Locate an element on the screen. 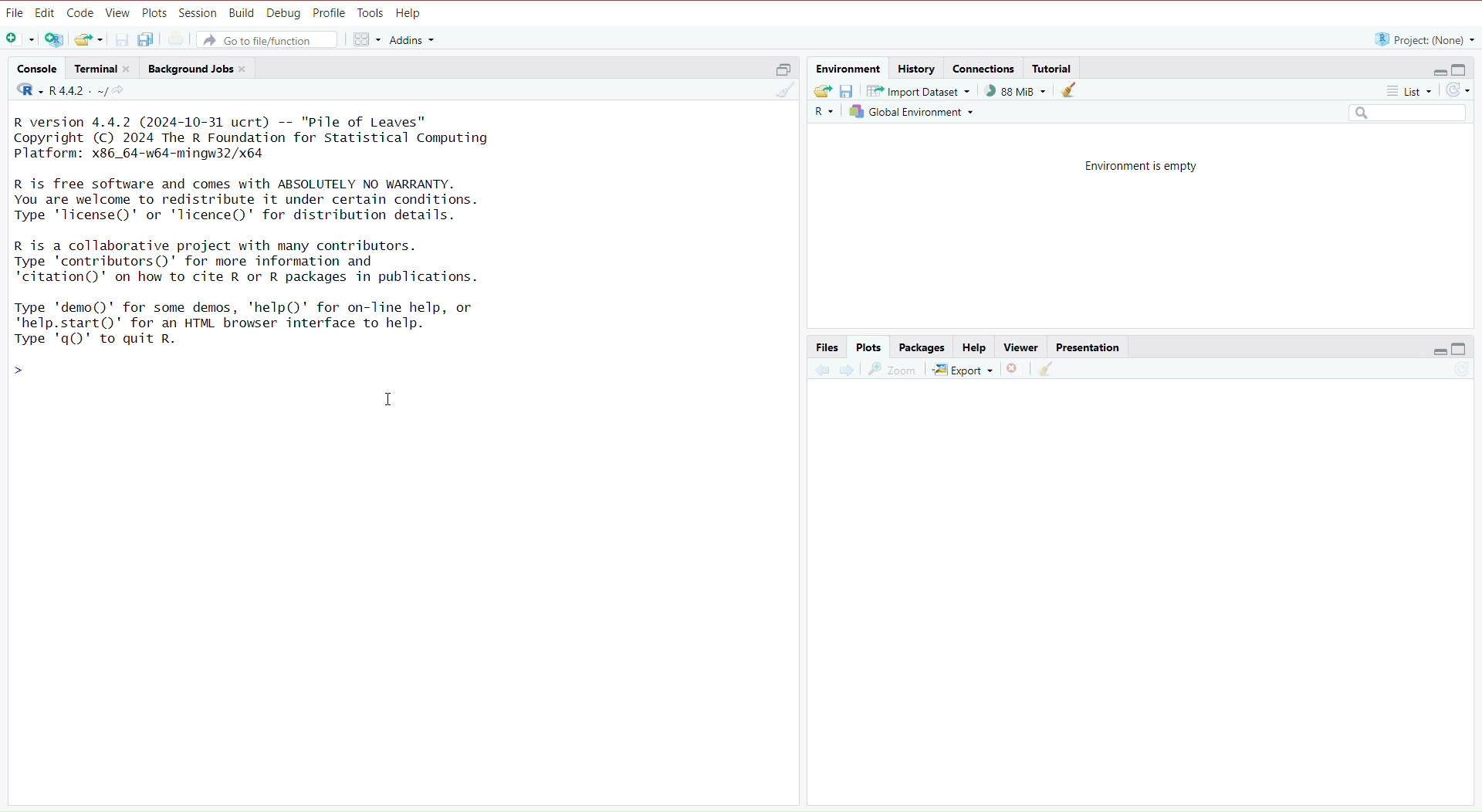 Image resolution: width=1482 pixels, height=812 pixels. console is located at coordinates (36, 69).